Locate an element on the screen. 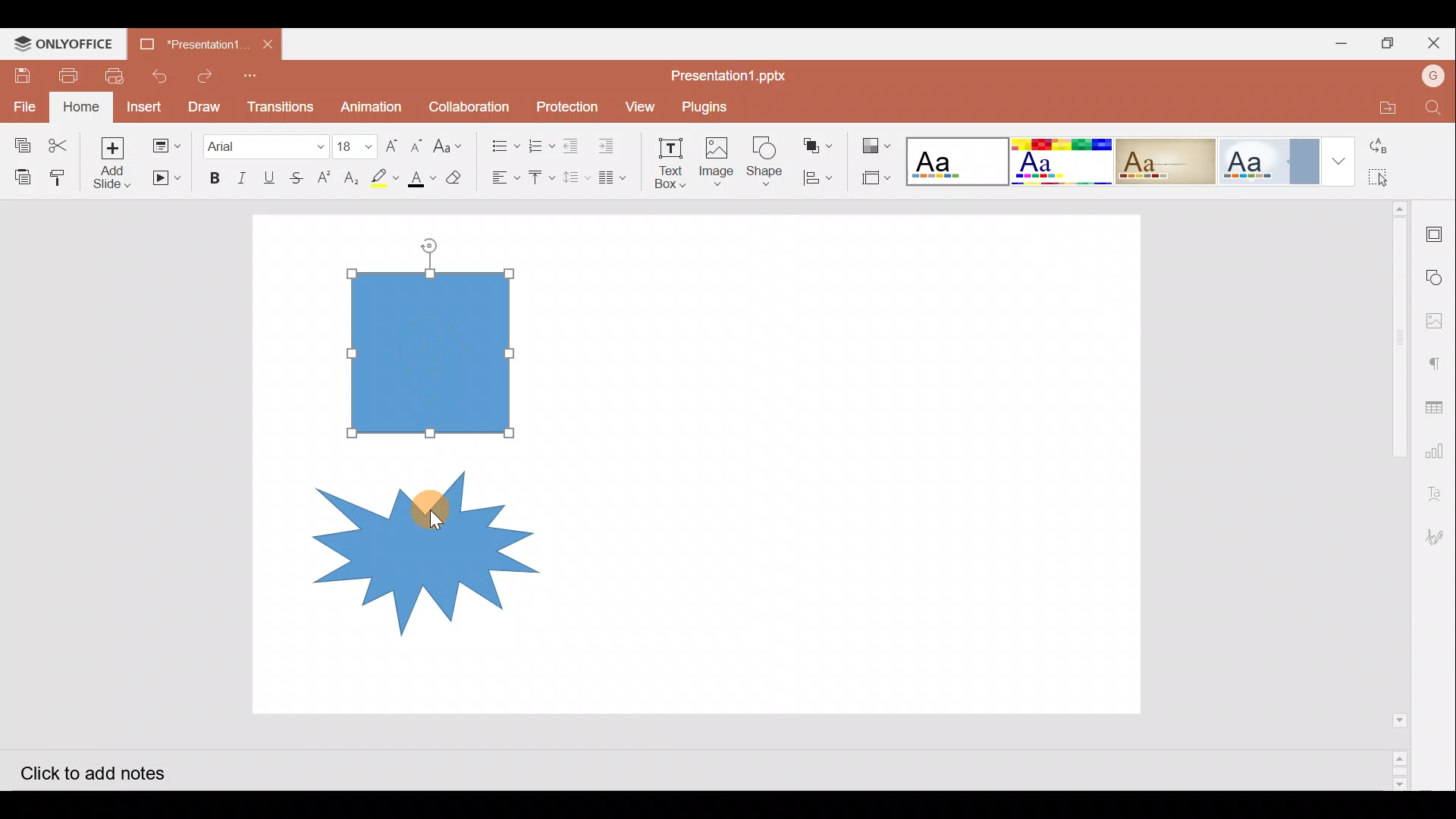 Image resolution: width=1456 pixels, height=819 pixels. Blank is located at coordinates (955, 157).